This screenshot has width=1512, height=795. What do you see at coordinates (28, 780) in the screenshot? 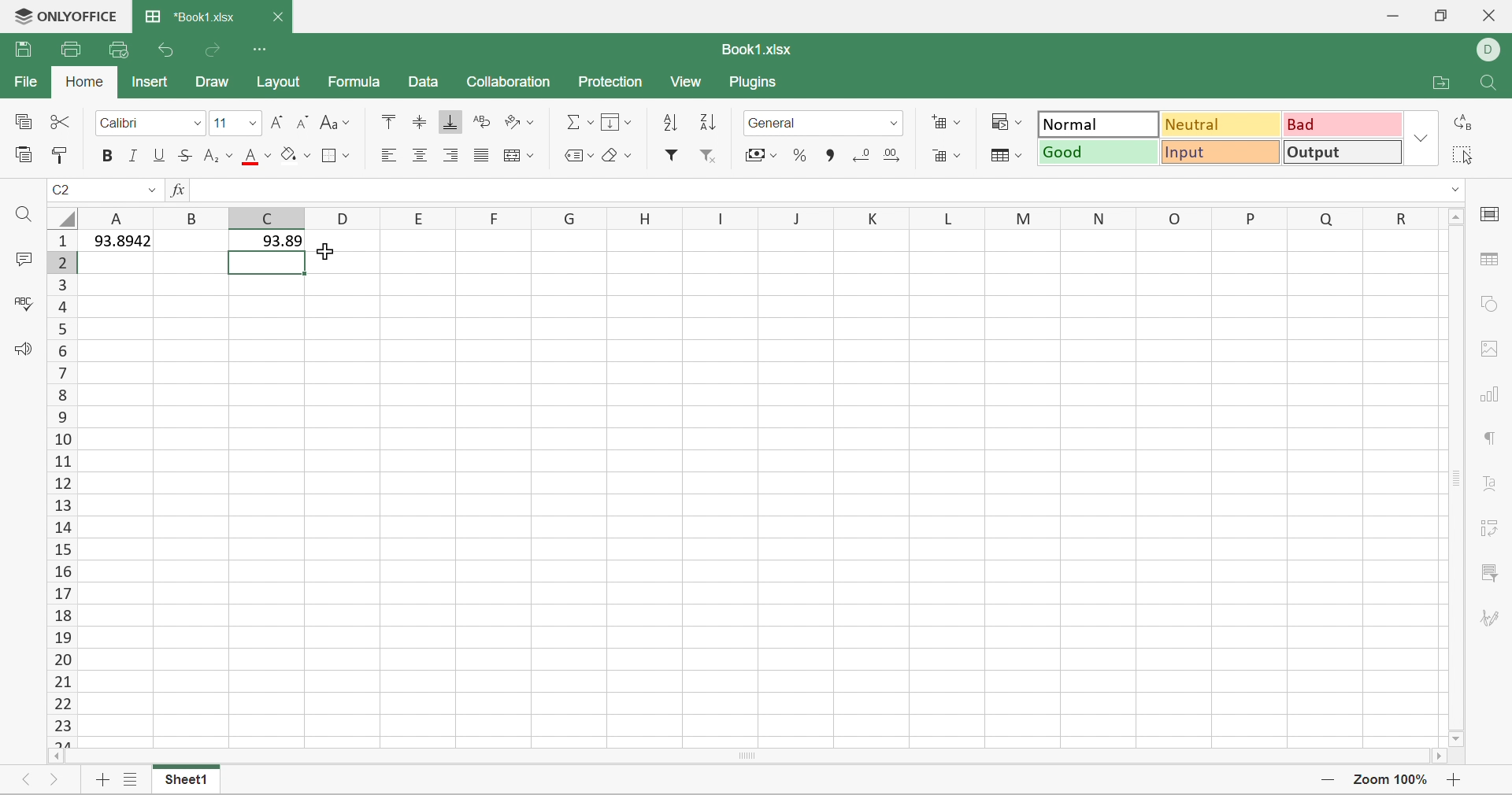
I see `Previous` at bounding box center [28, 780].